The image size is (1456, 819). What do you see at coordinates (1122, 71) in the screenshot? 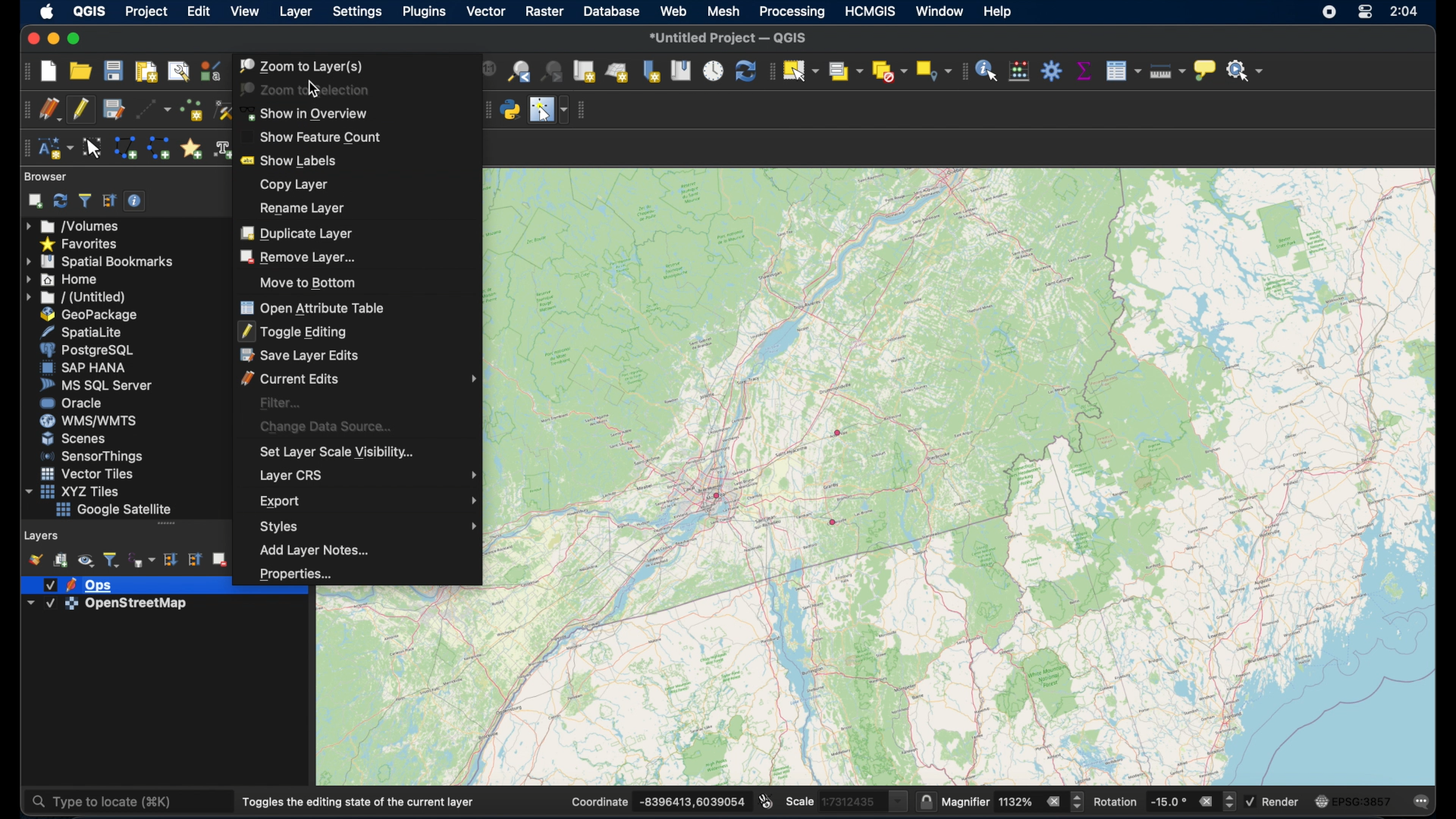
I see `open attributes` at bounding box center [1122, 71].